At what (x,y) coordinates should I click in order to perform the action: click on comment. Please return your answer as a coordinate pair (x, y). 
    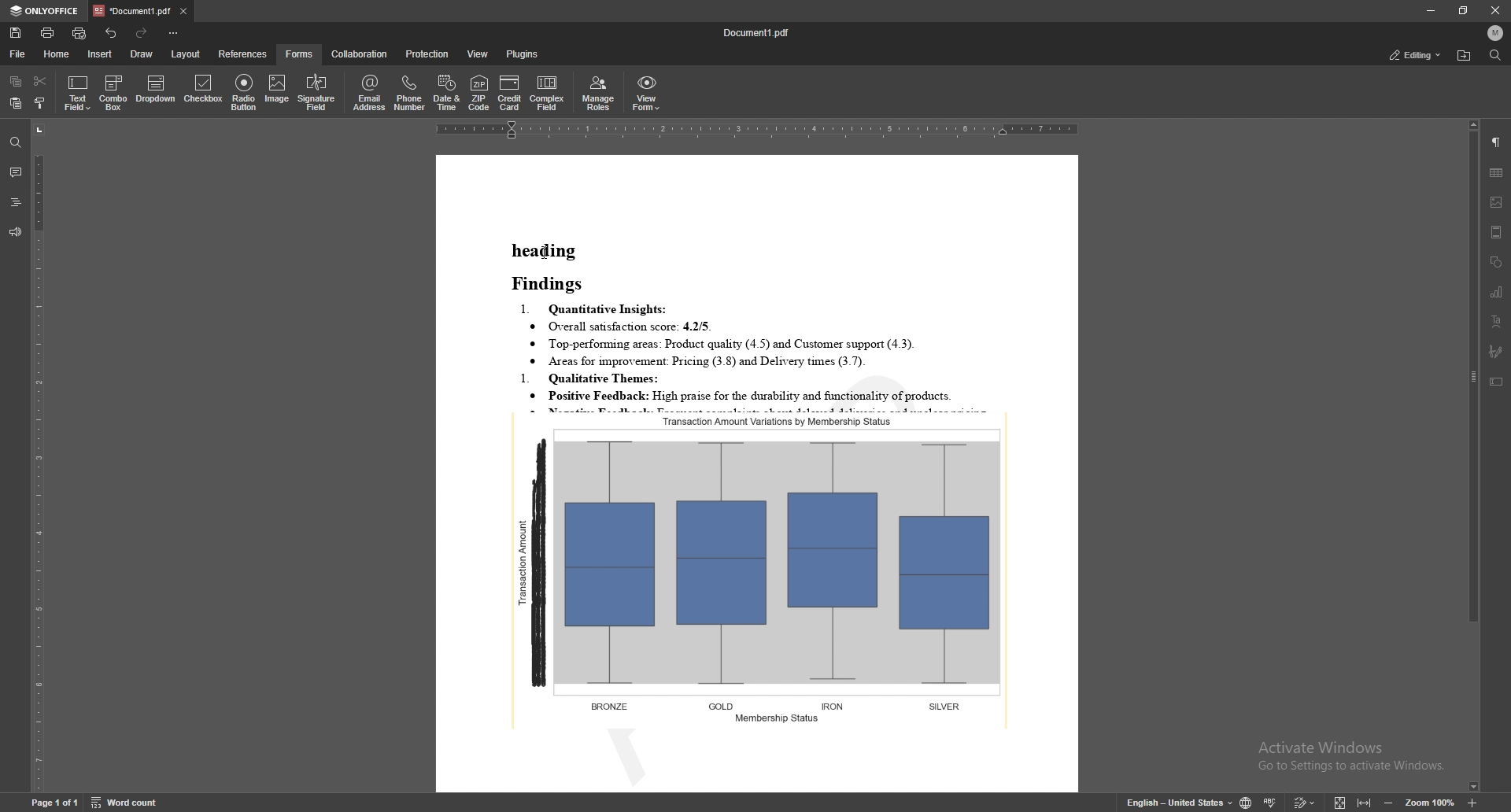
    Looking at the image, I should click on (15, 172).